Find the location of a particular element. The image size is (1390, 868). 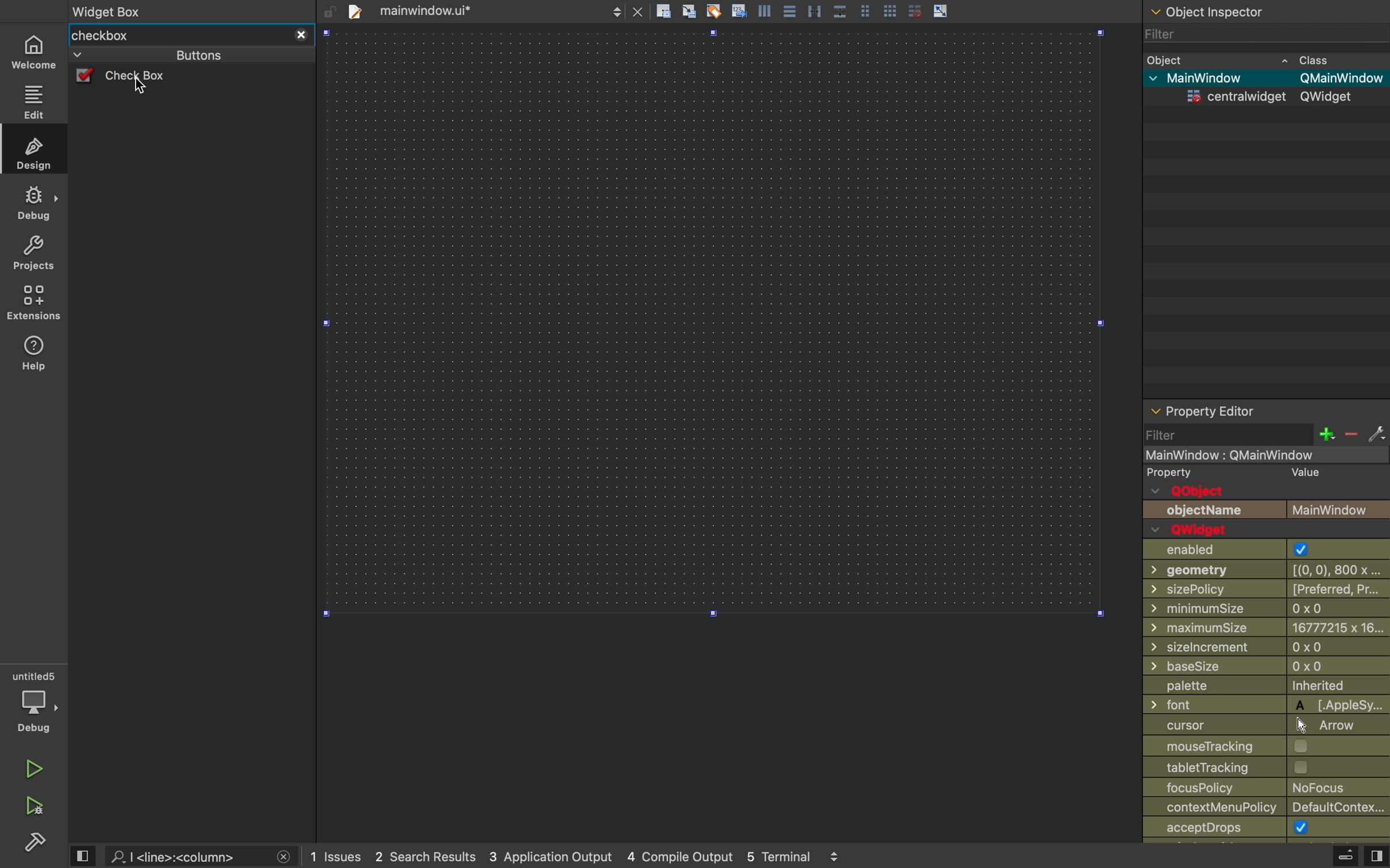

extrude is located at coordinates (1346, 855).